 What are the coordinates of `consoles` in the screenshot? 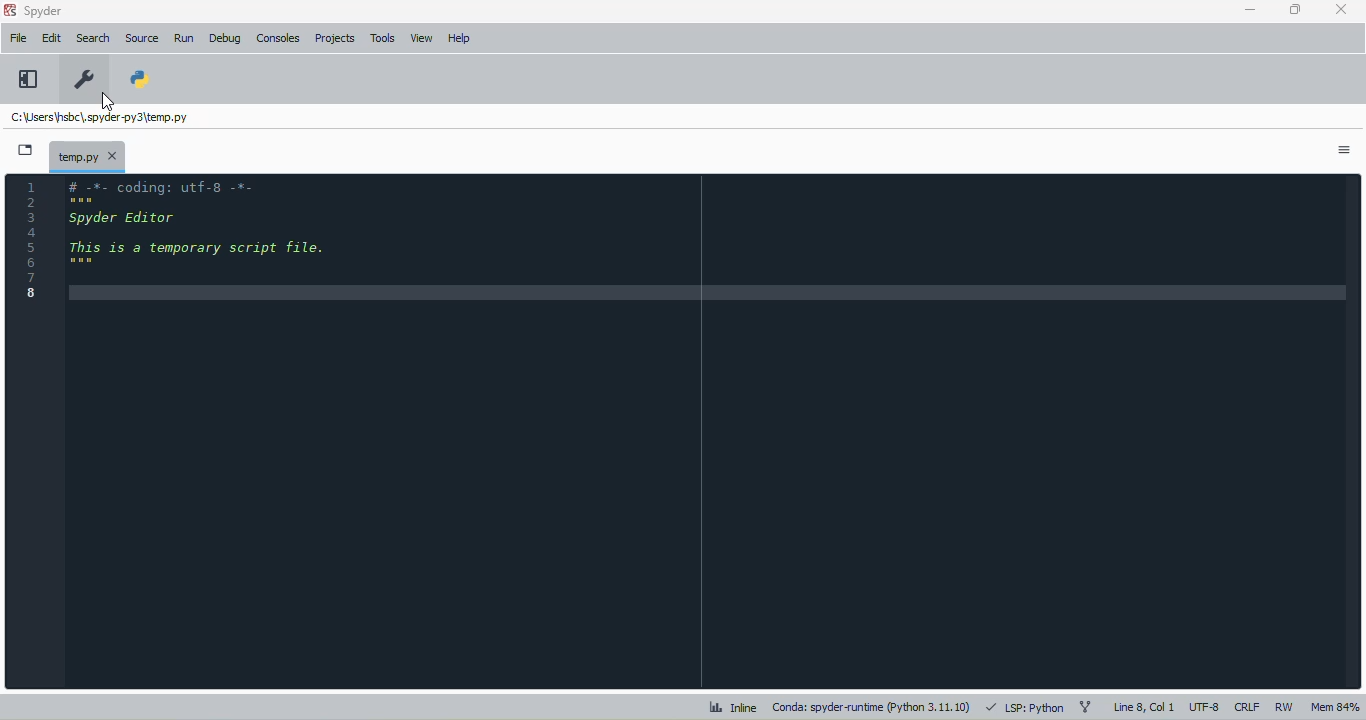 It's located at (278, 38).